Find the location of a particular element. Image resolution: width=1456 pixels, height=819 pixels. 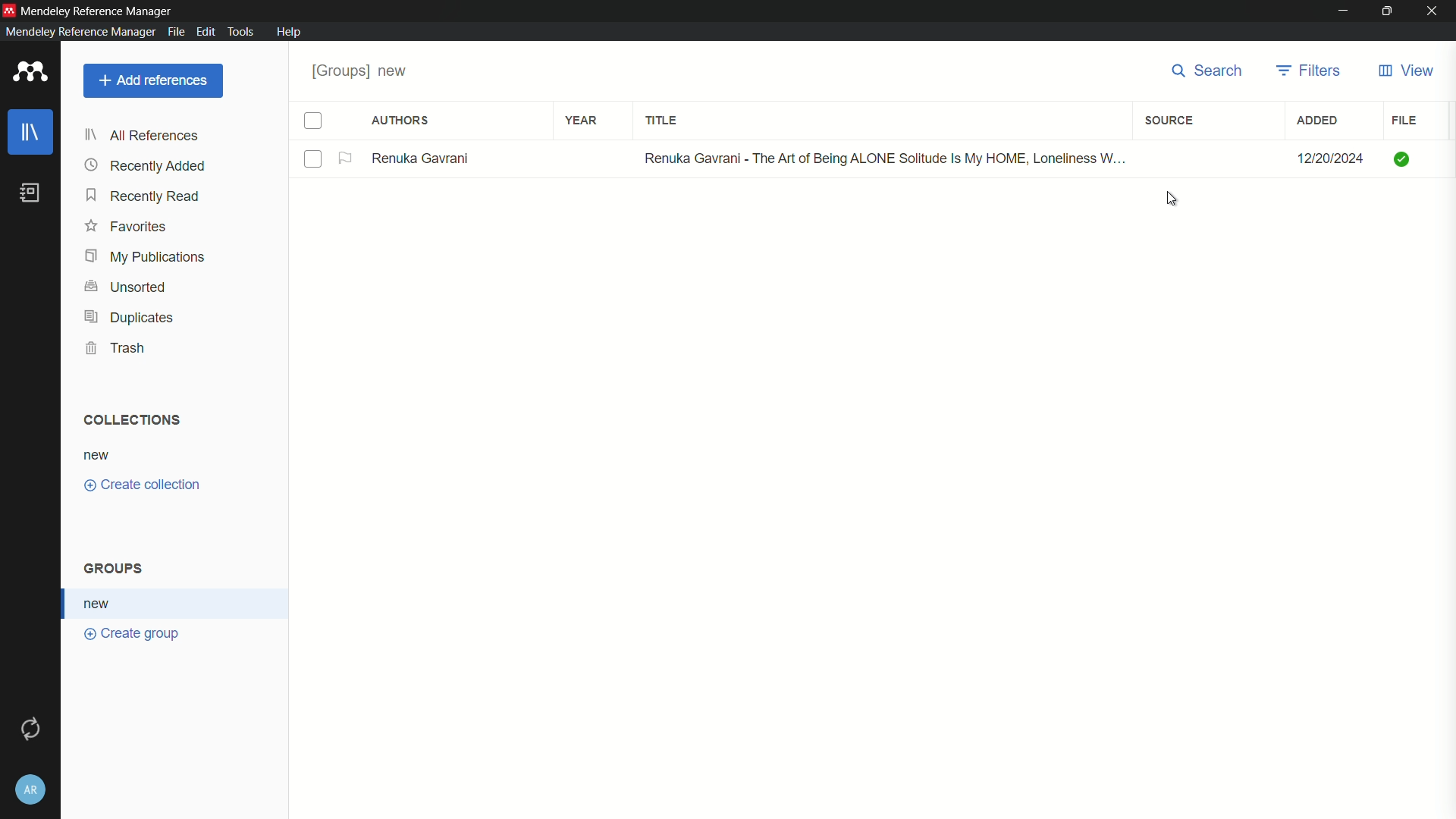

library is located at coordinates (30, 132).